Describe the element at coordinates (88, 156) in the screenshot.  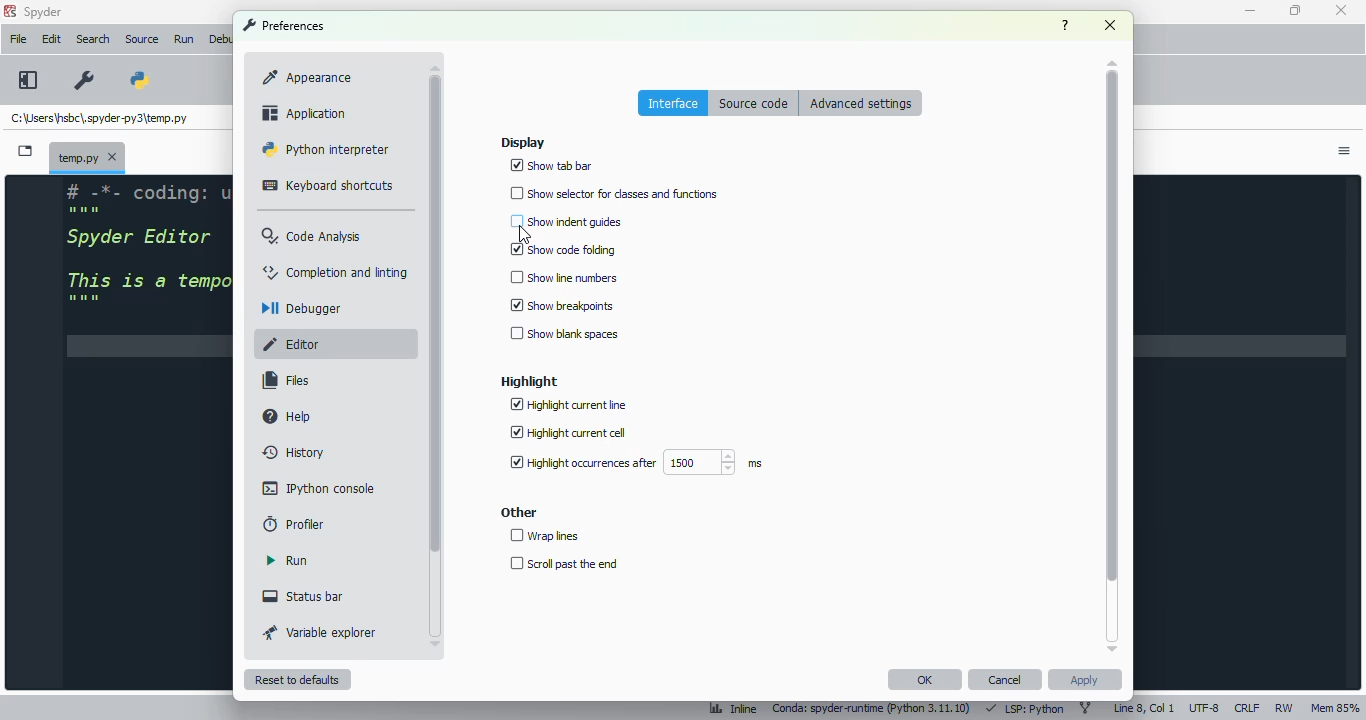
I see `temporary file` at that location.